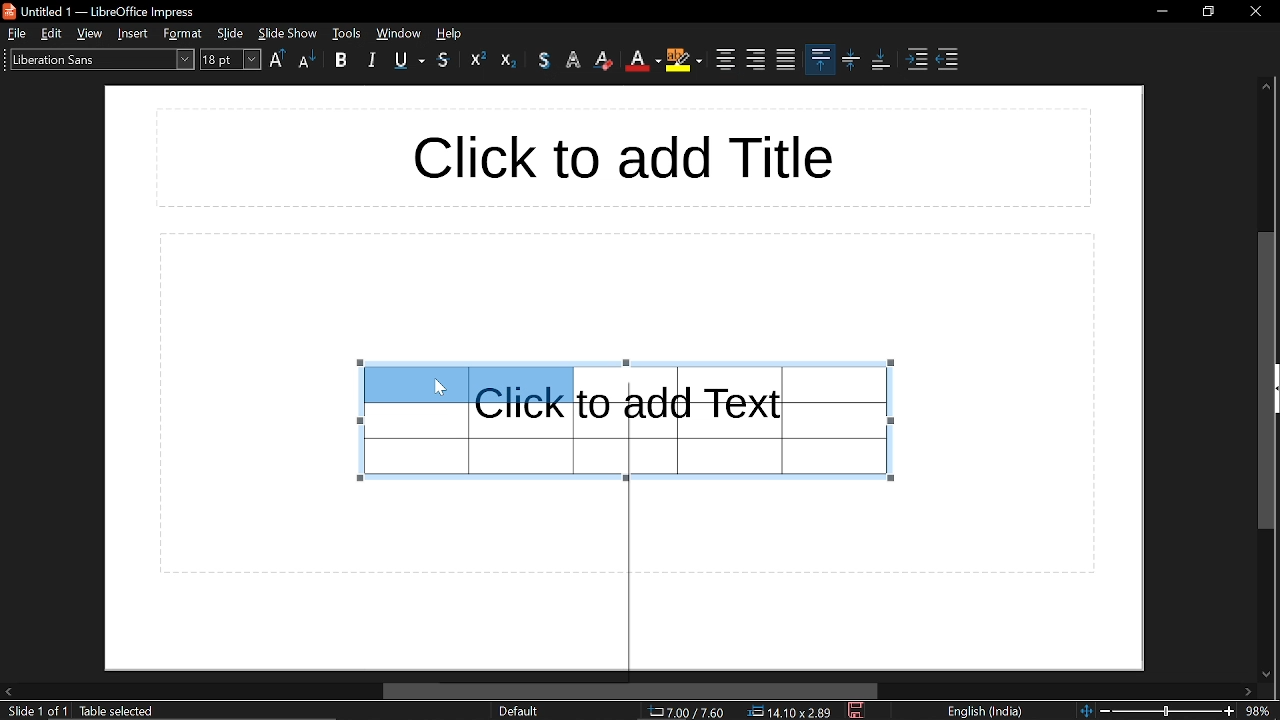 The image size is (1280, 720). What do you see at coordinates (134, 33) in the screenshot?
I see `insert` at bounding box center [134, 33].